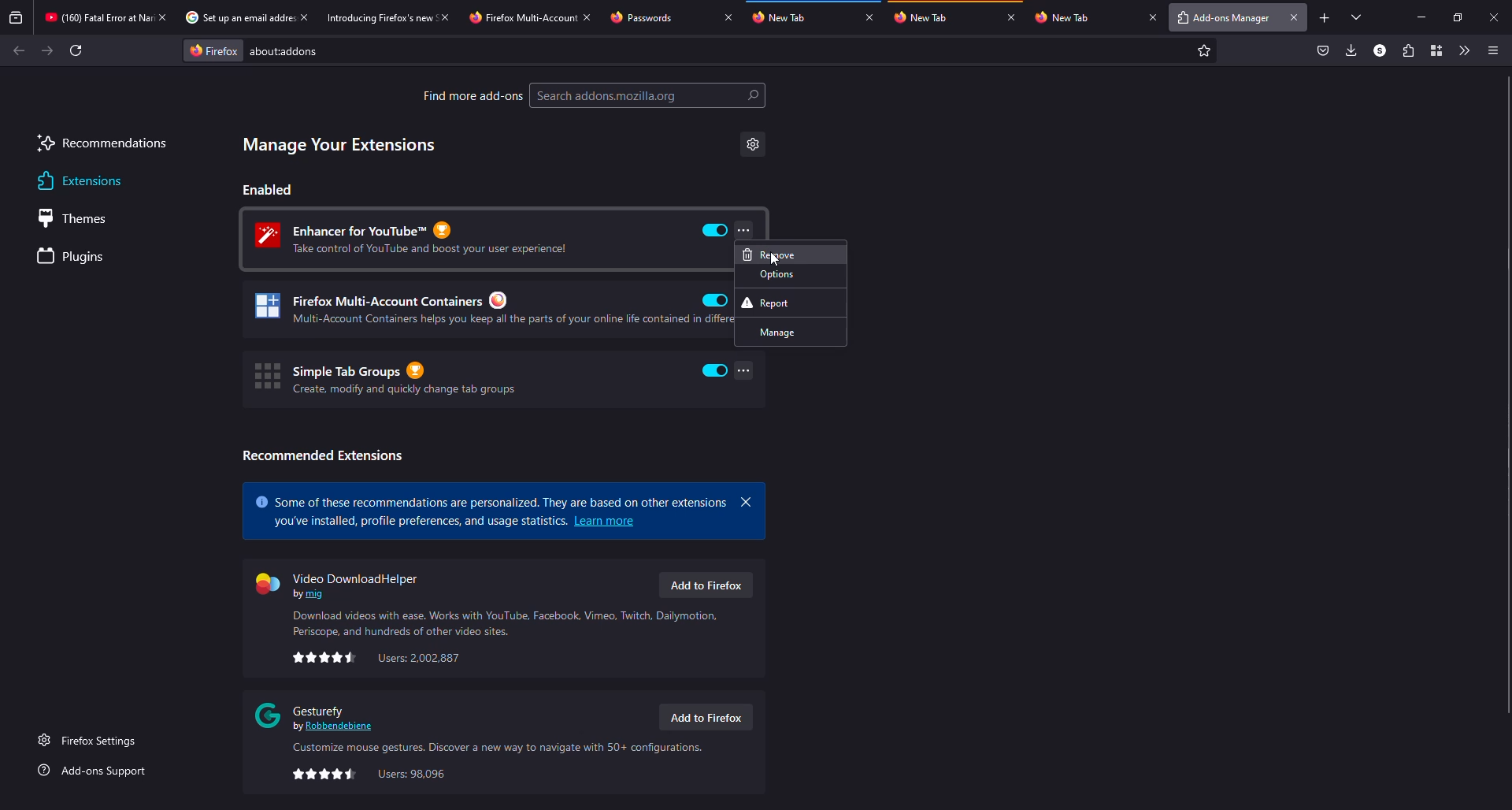 This screenshot has height=810, width=1512. Describe the element at coordinates (791, 274) in the screenshot. I see `options` at that location.